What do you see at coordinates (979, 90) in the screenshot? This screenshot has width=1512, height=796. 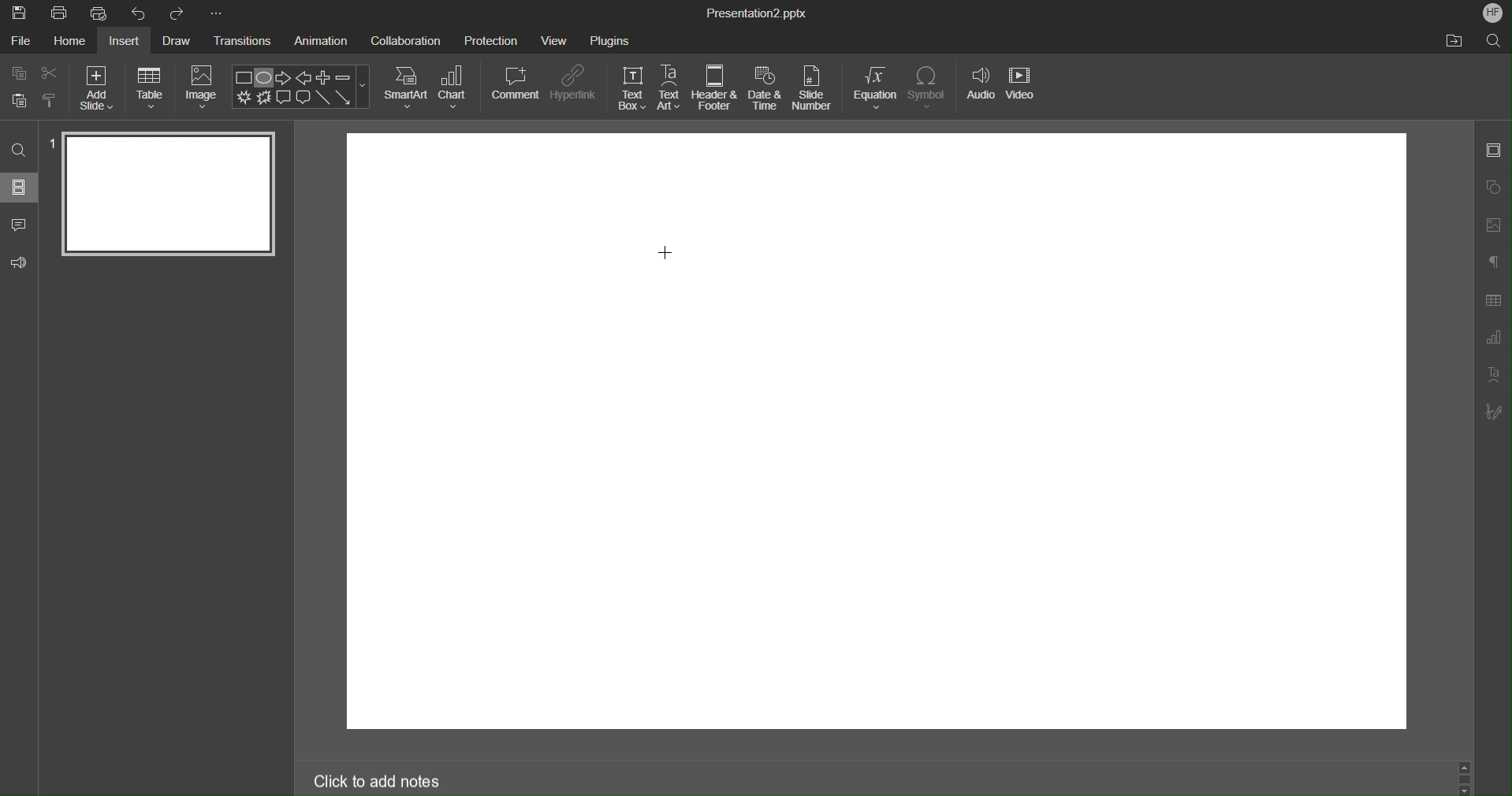 I see `Audio` at bounding box center [979, 90].